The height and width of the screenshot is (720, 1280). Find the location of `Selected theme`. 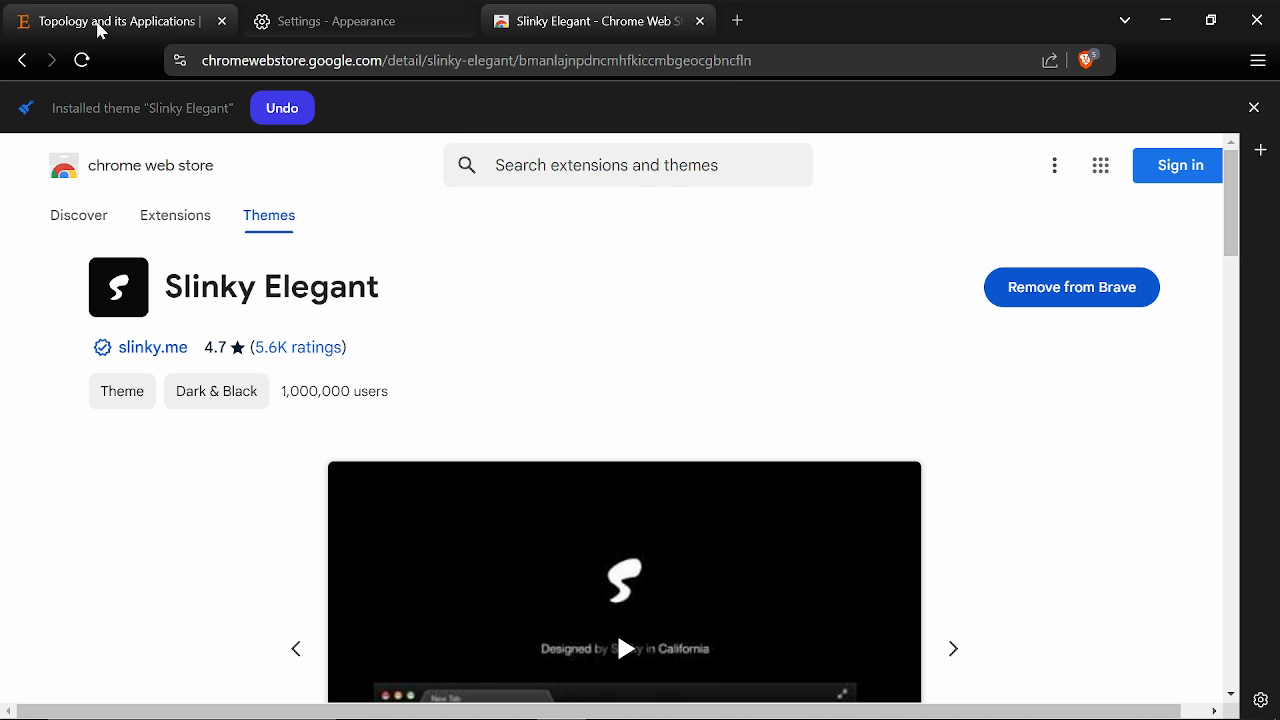

Selected theme is located at coordinates (625, 582).